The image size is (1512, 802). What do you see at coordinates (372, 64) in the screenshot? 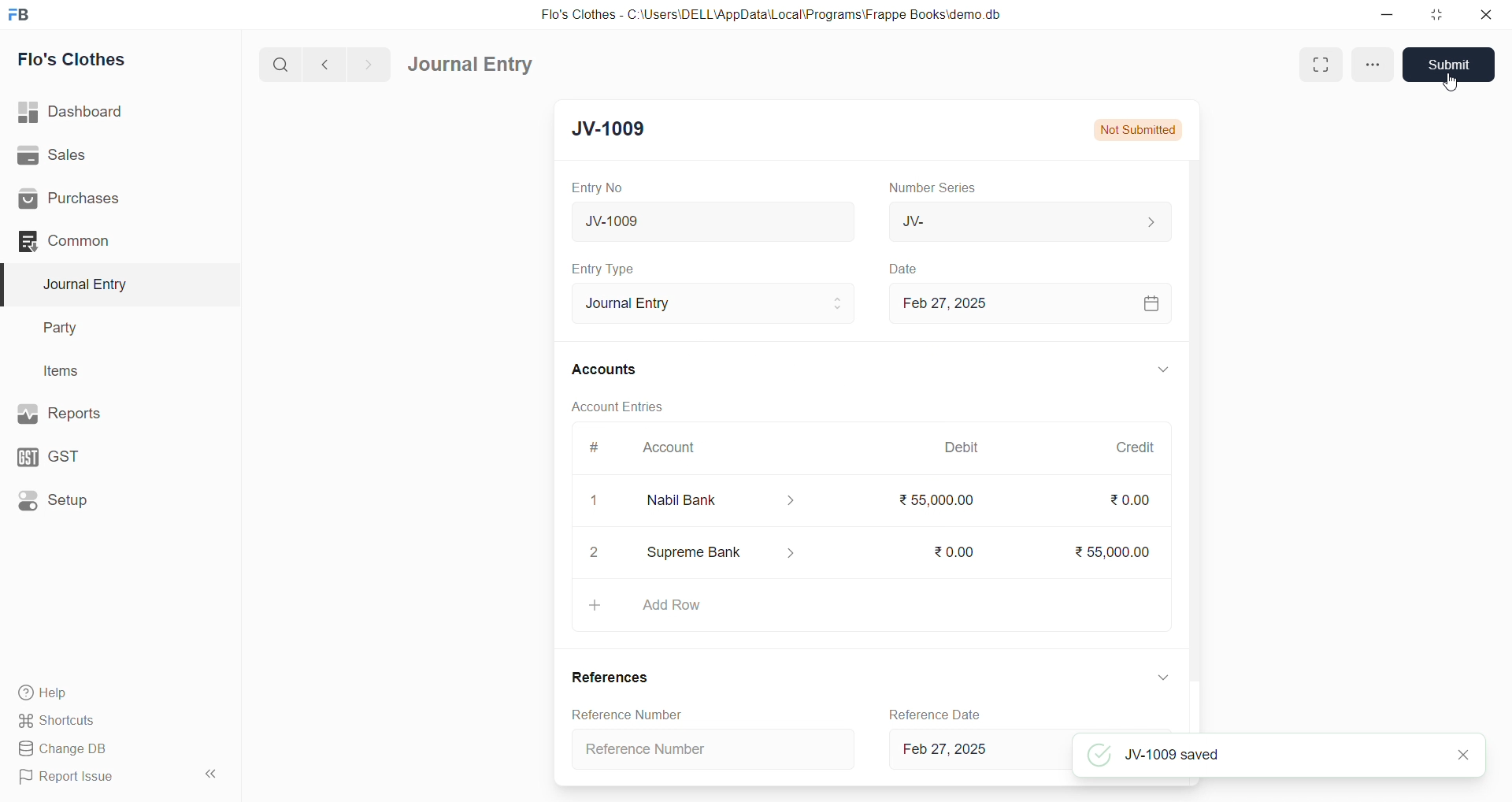
I see `navigate forward` at bounding box center [372, 64].